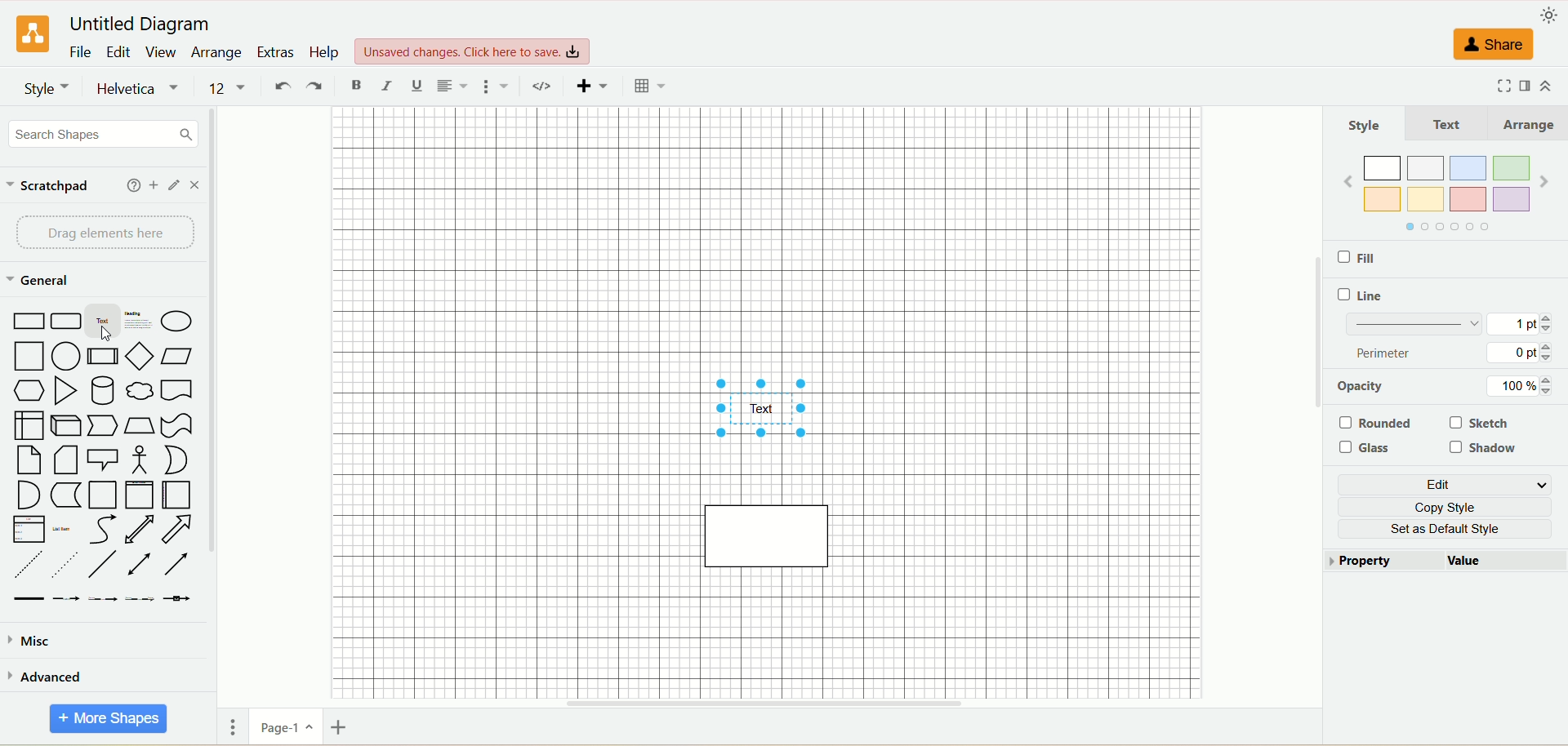  What do you see at coordinates (24, 565) in the screenshot?
I see `dashed line` at bounding box center [24, 565].